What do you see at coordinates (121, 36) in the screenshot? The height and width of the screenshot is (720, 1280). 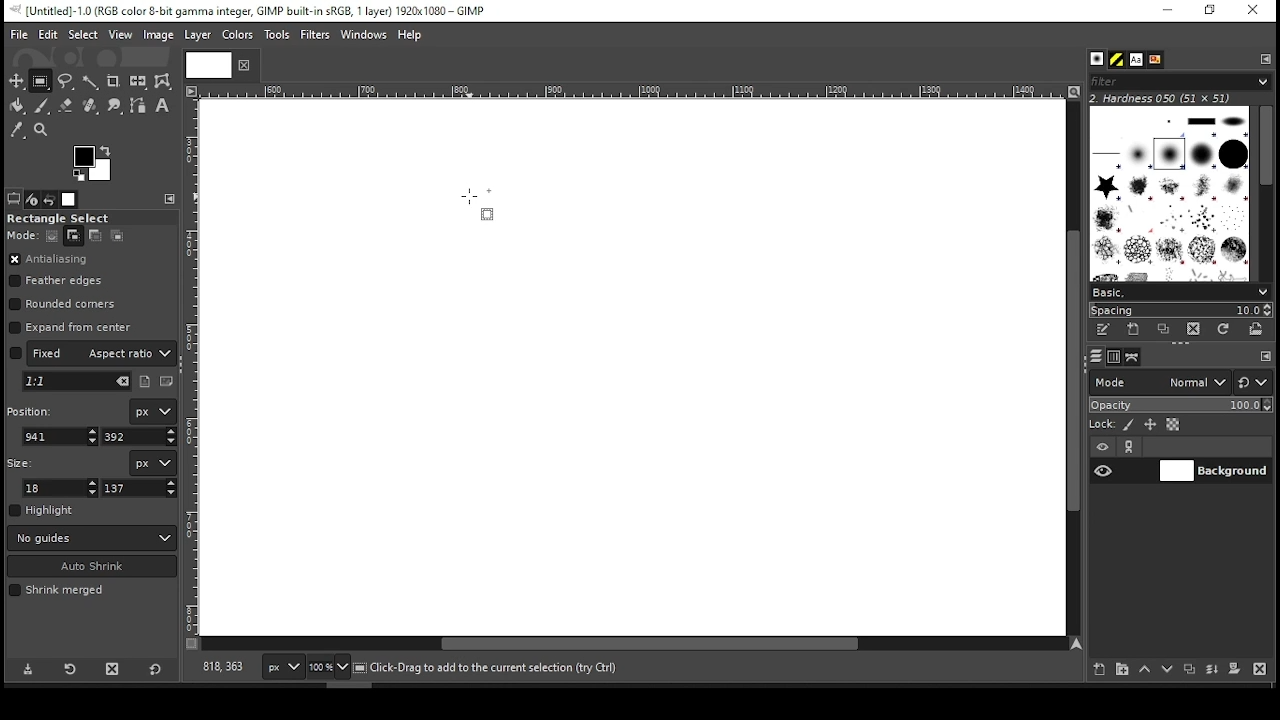 I see `view` at bounding box center [121, 36].